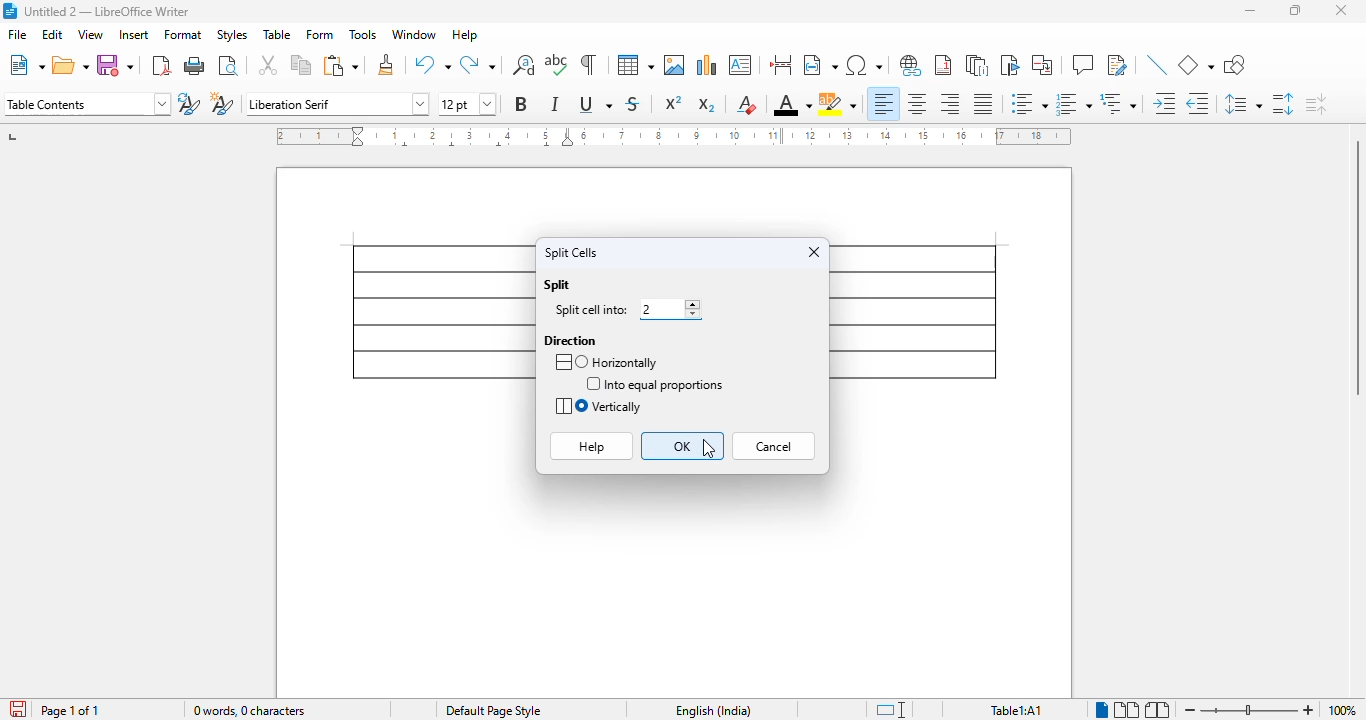  I want to click on , so click(1253, 711).